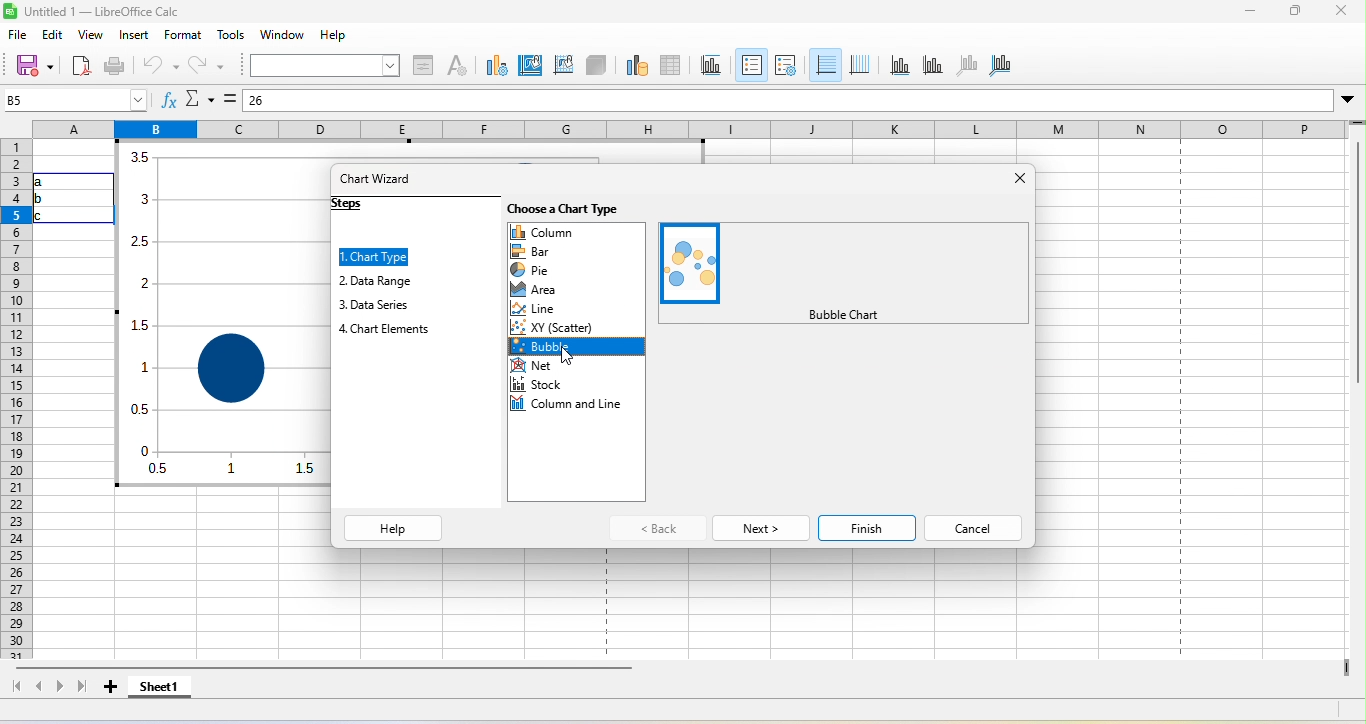  What do you see at coordinates (323, 64) in the screenshot?
I see `select chart elemenyts` at bounding box center [323, 64].